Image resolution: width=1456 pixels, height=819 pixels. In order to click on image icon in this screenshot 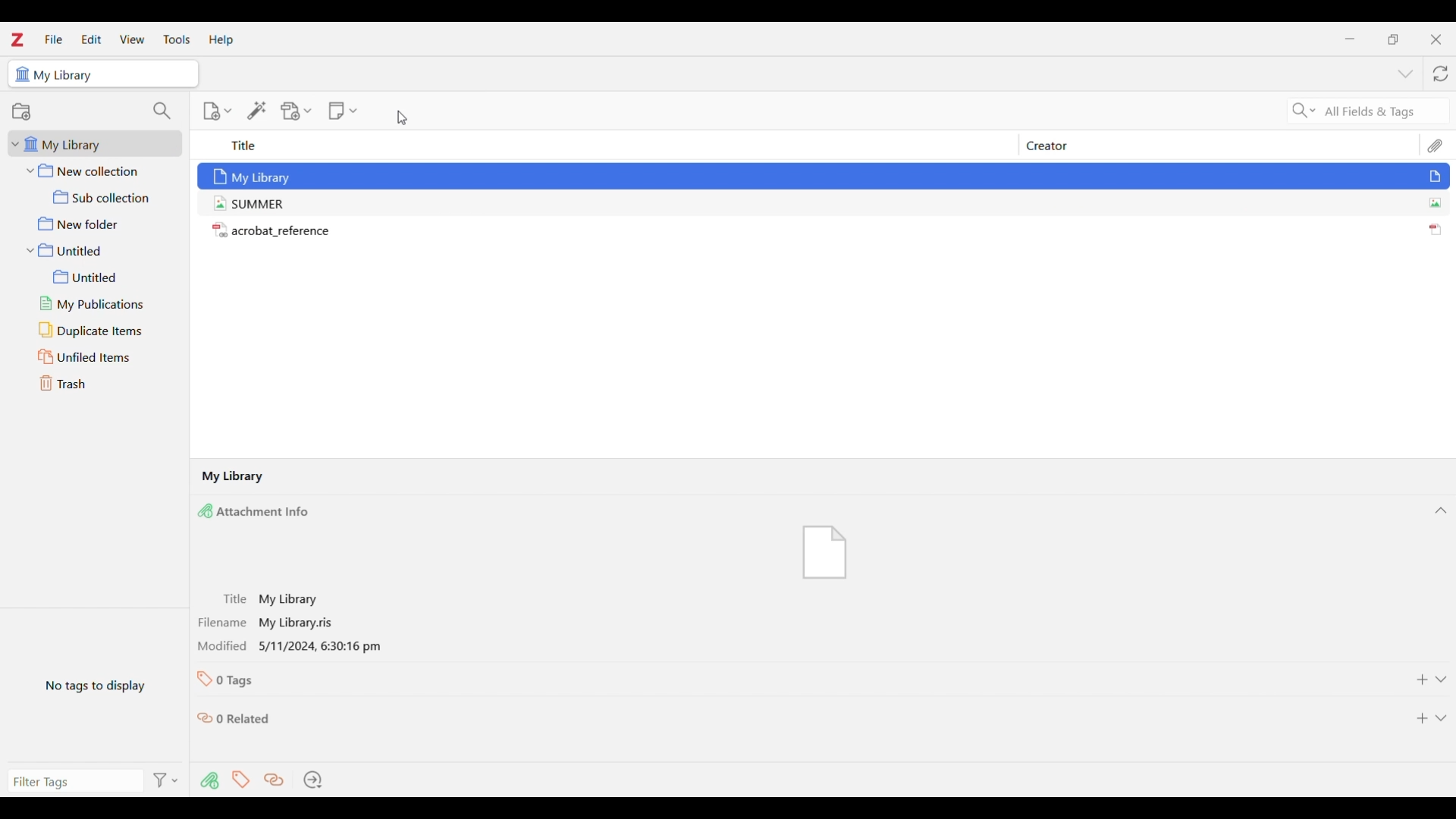, I will do `click(1438, 201)`.